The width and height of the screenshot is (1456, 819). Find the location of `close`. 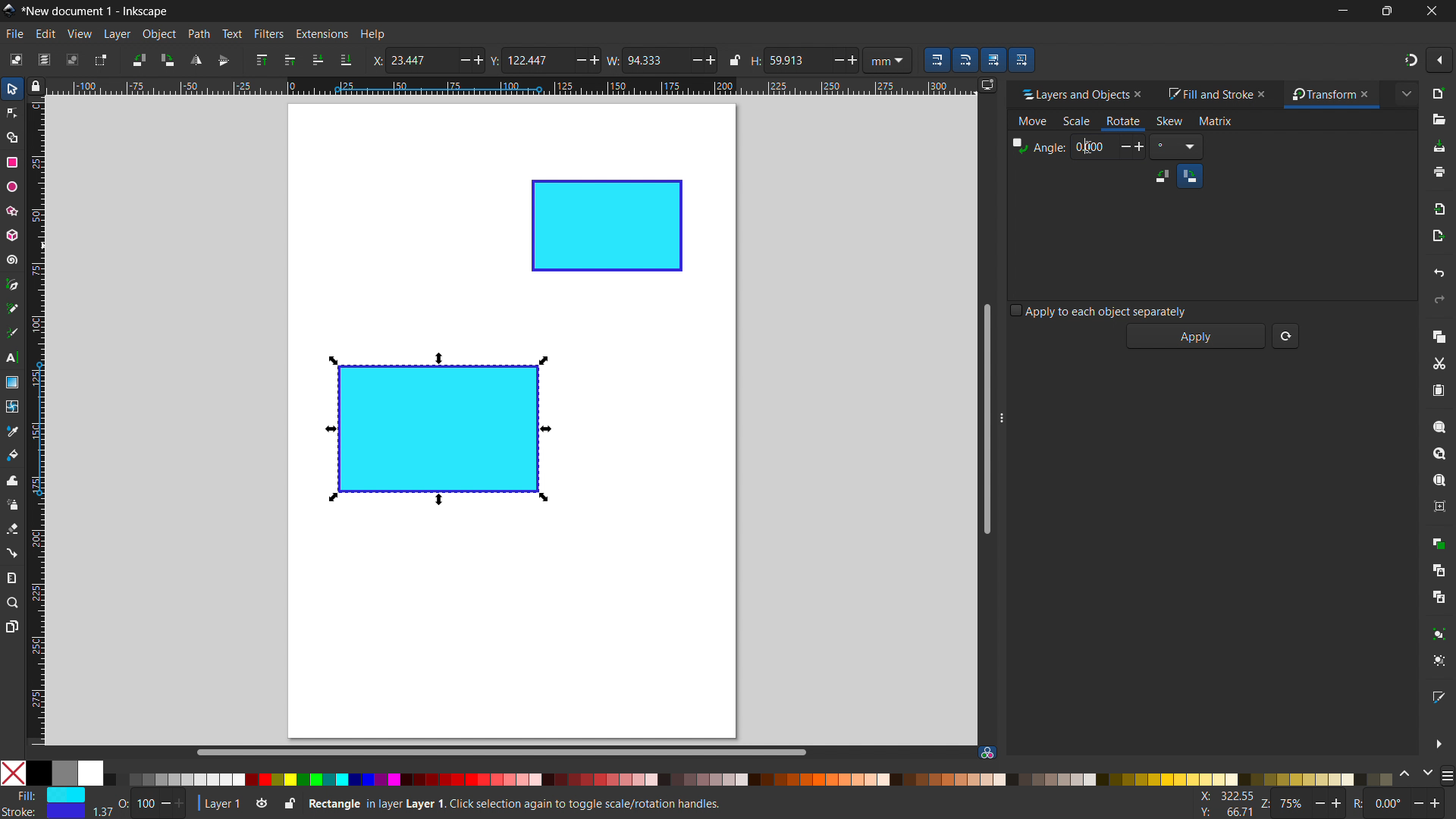

close is located at coordinates (1372, 94).